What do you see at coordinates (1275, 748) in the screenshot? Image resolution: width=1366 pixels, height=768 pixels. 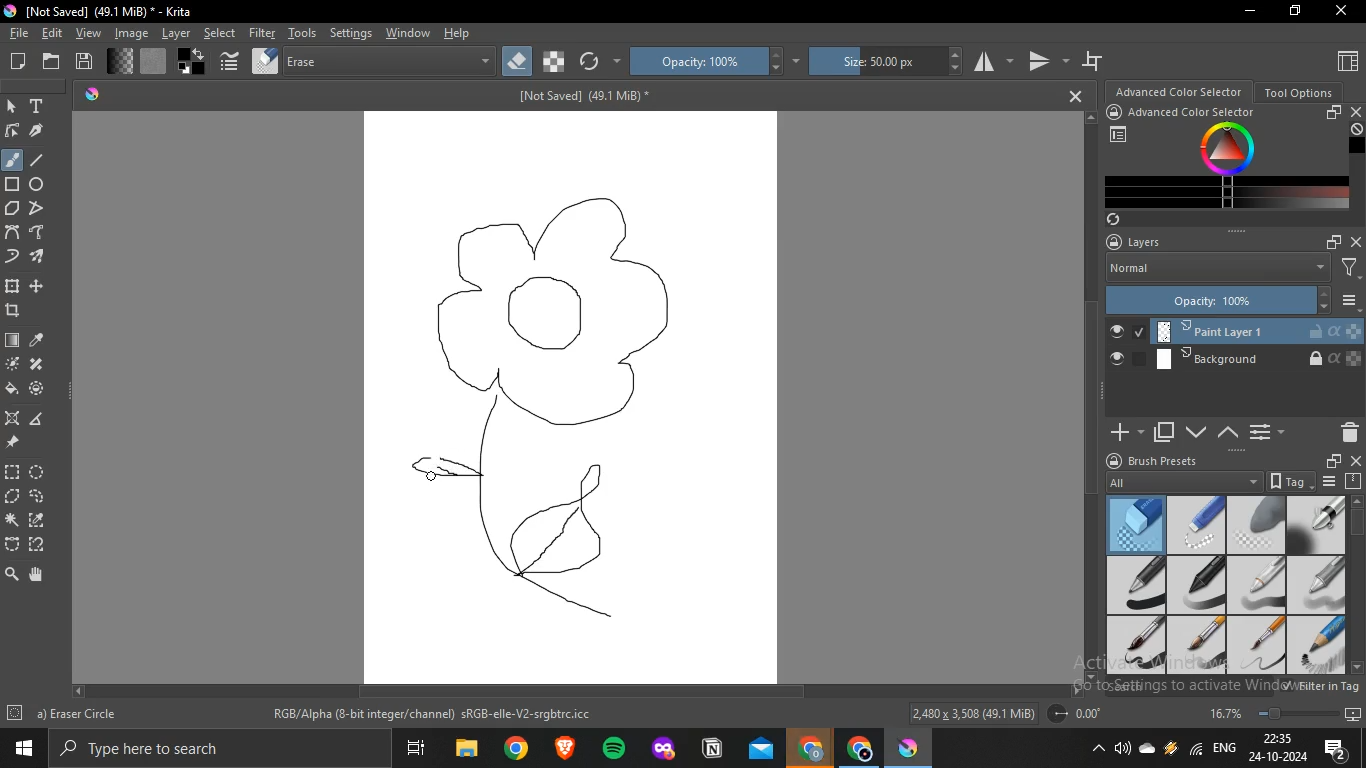 I see `22:34 24-10-2024` at bounding box center [1275, 748].